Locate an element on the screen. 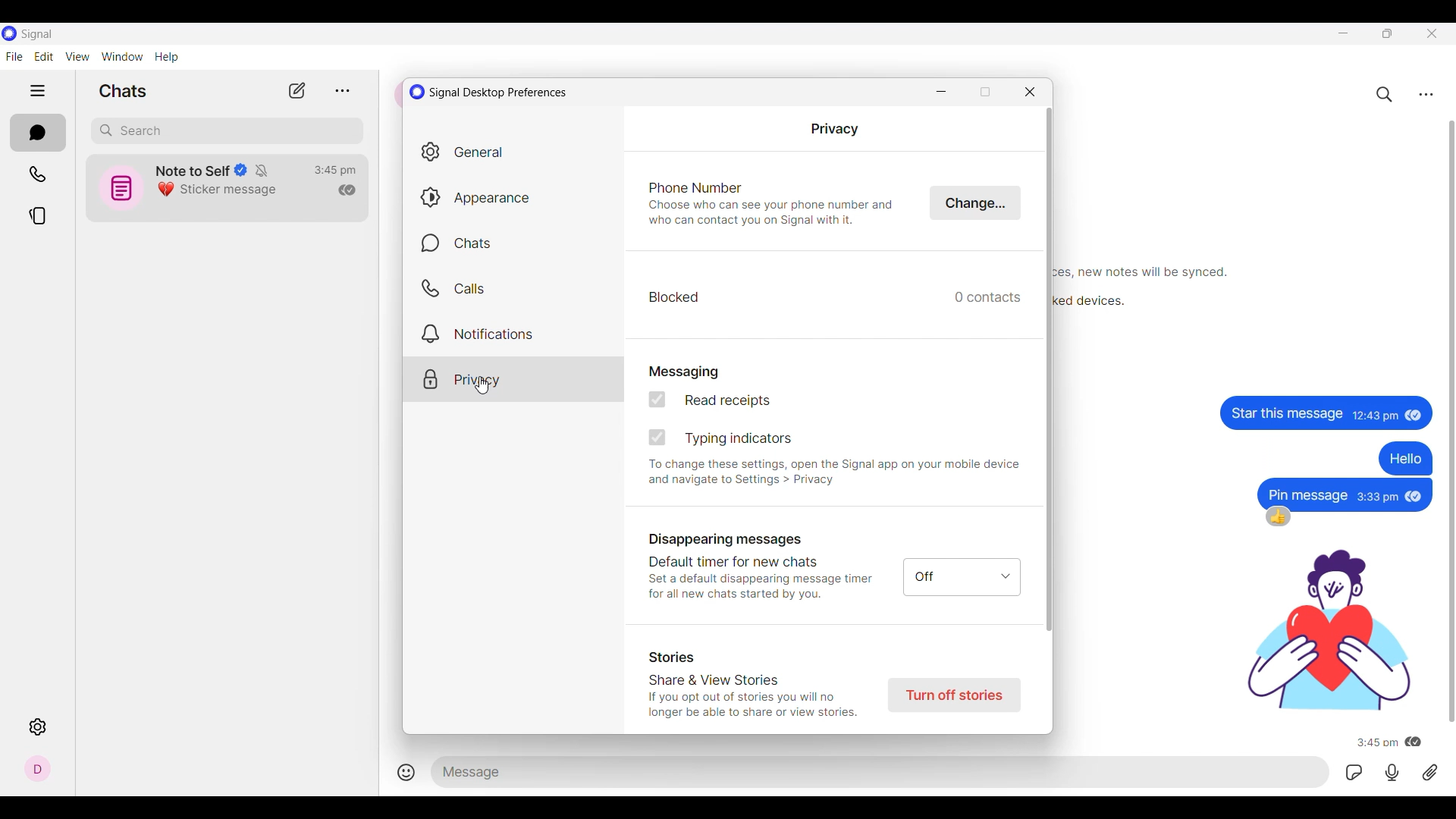 This screenshot has height=819, width=1456. GIFs is located at coordinates (1354, 772).